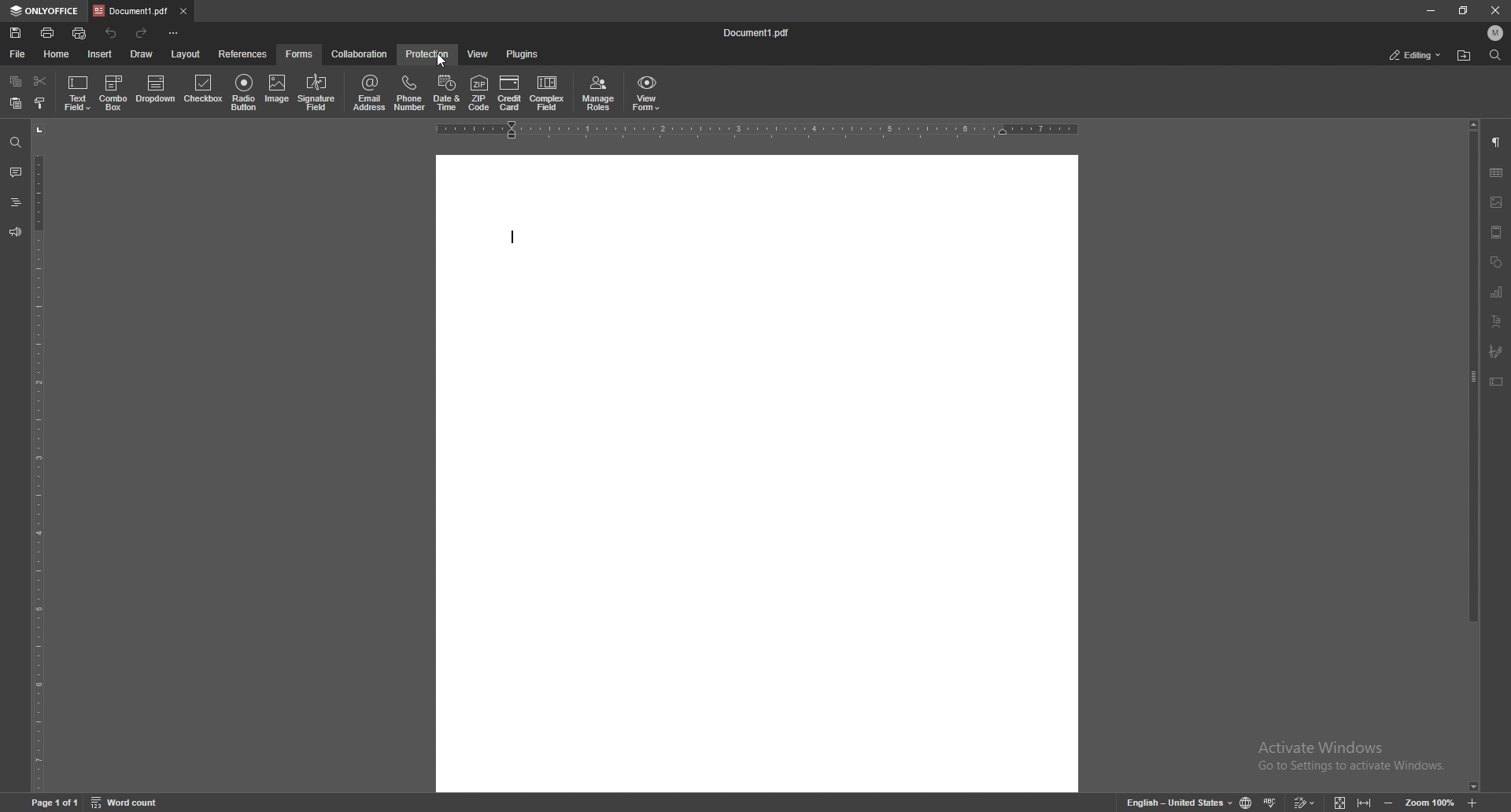 The height and width of the screenshot is (812, 1511). Describe the element at coordinates (16, 55) in the screenshot. I see `file` at that location.